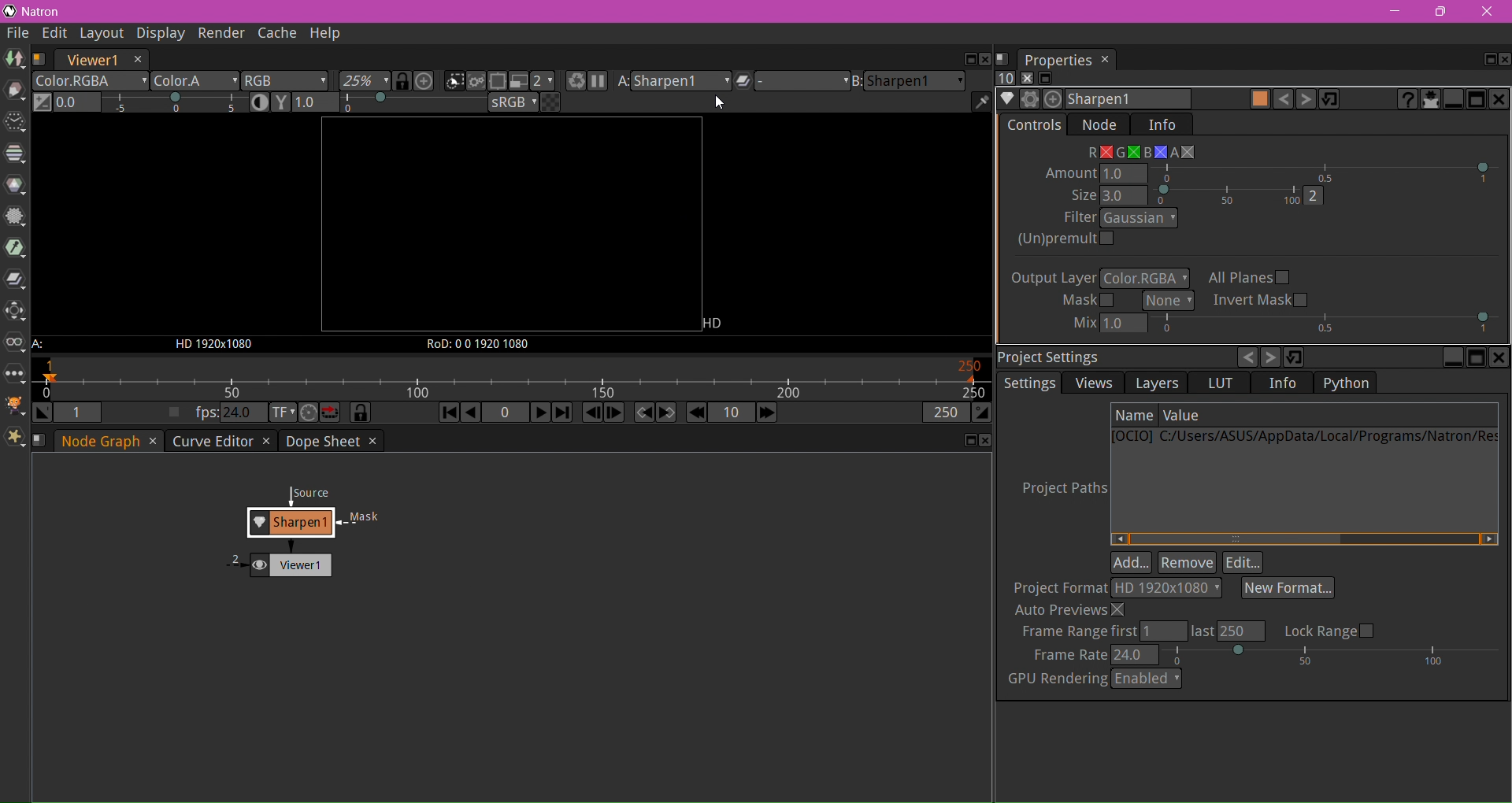 This screenshot has height=803, width=1512. Describe the element at coordinates (944, 415) in the screenshot. I see `The playback out point` at that location.